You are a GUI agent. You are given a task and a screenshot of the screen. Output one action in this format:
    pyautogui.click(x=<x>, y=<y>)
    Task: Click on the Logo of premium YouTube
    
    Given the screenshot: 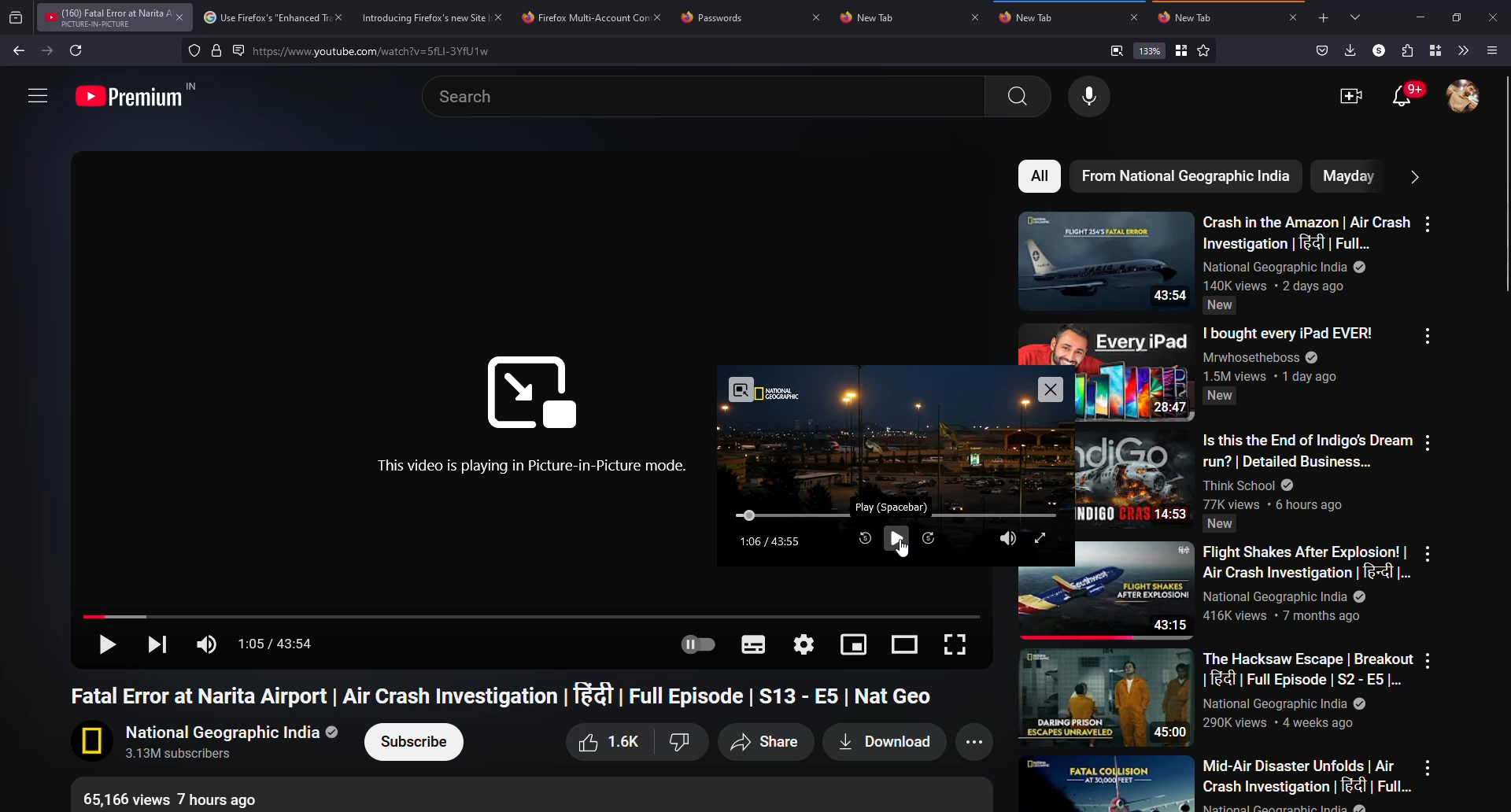 What is the action you would take?
    pyautogui.click(x=139, y=94)
    